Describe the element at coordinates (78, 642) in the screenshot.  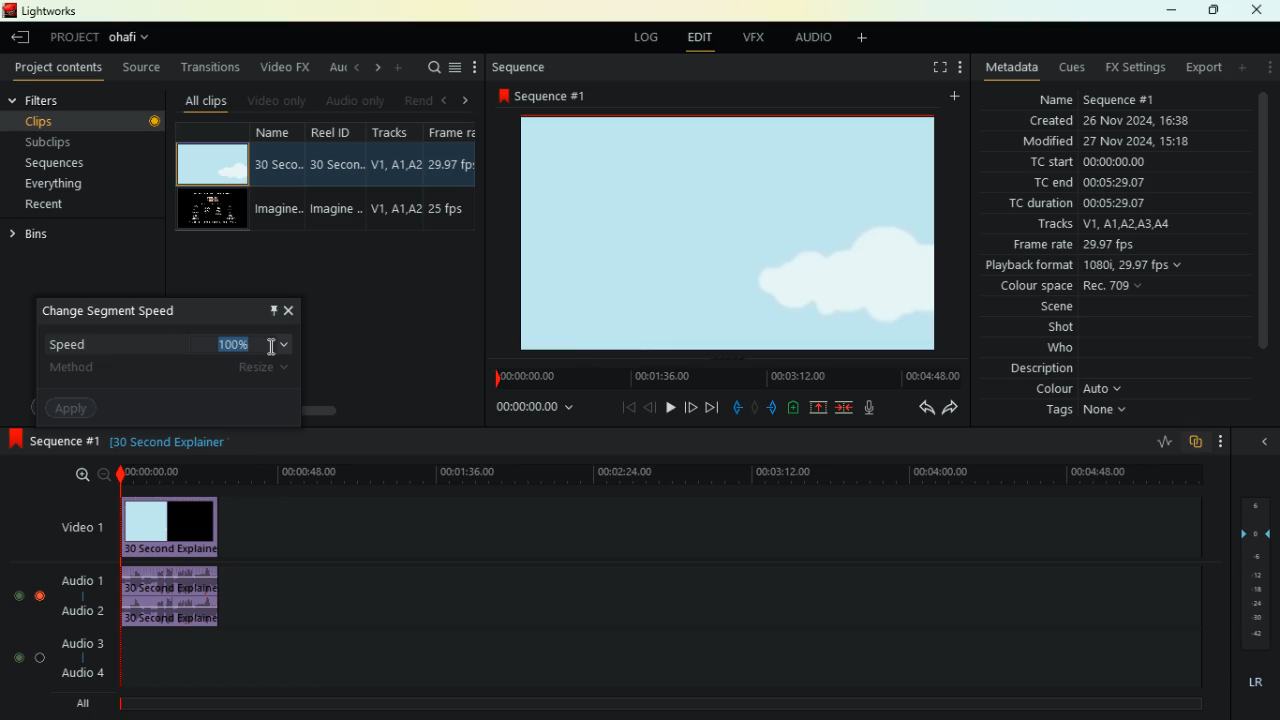
I see `audio3` at that location.